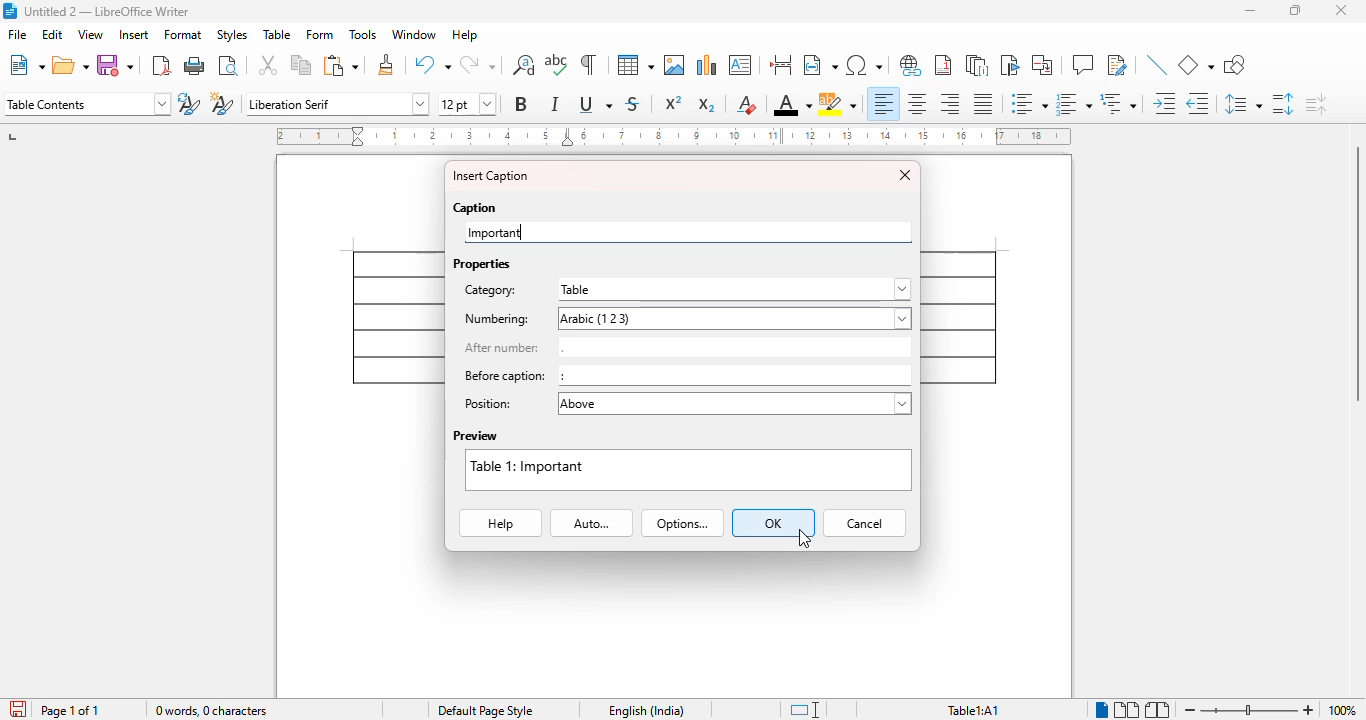 The height and width of the screenshot is (720, 1366). What do you see at coordinates (432, 64) in the screenshot?
I see `undo` at bounding box center [432, 64].